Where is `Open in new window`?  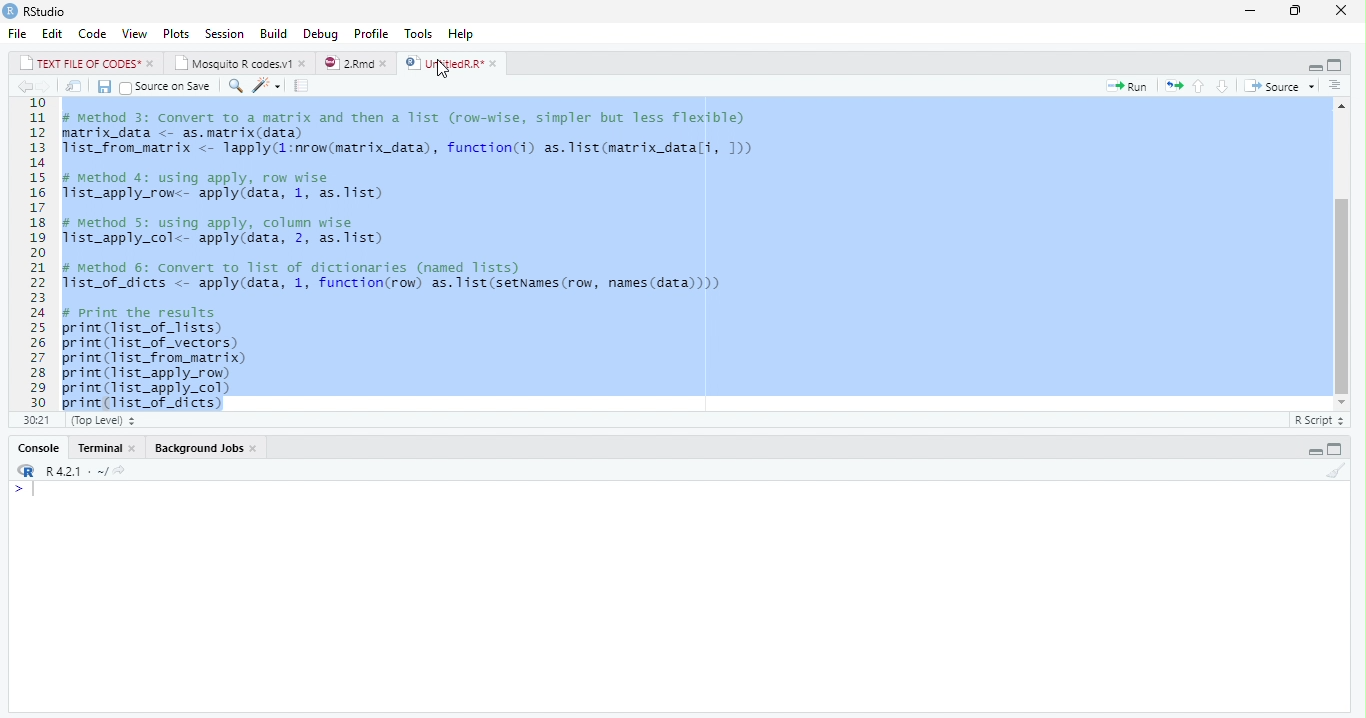 Open in new window is located at coordinates (74, 86).